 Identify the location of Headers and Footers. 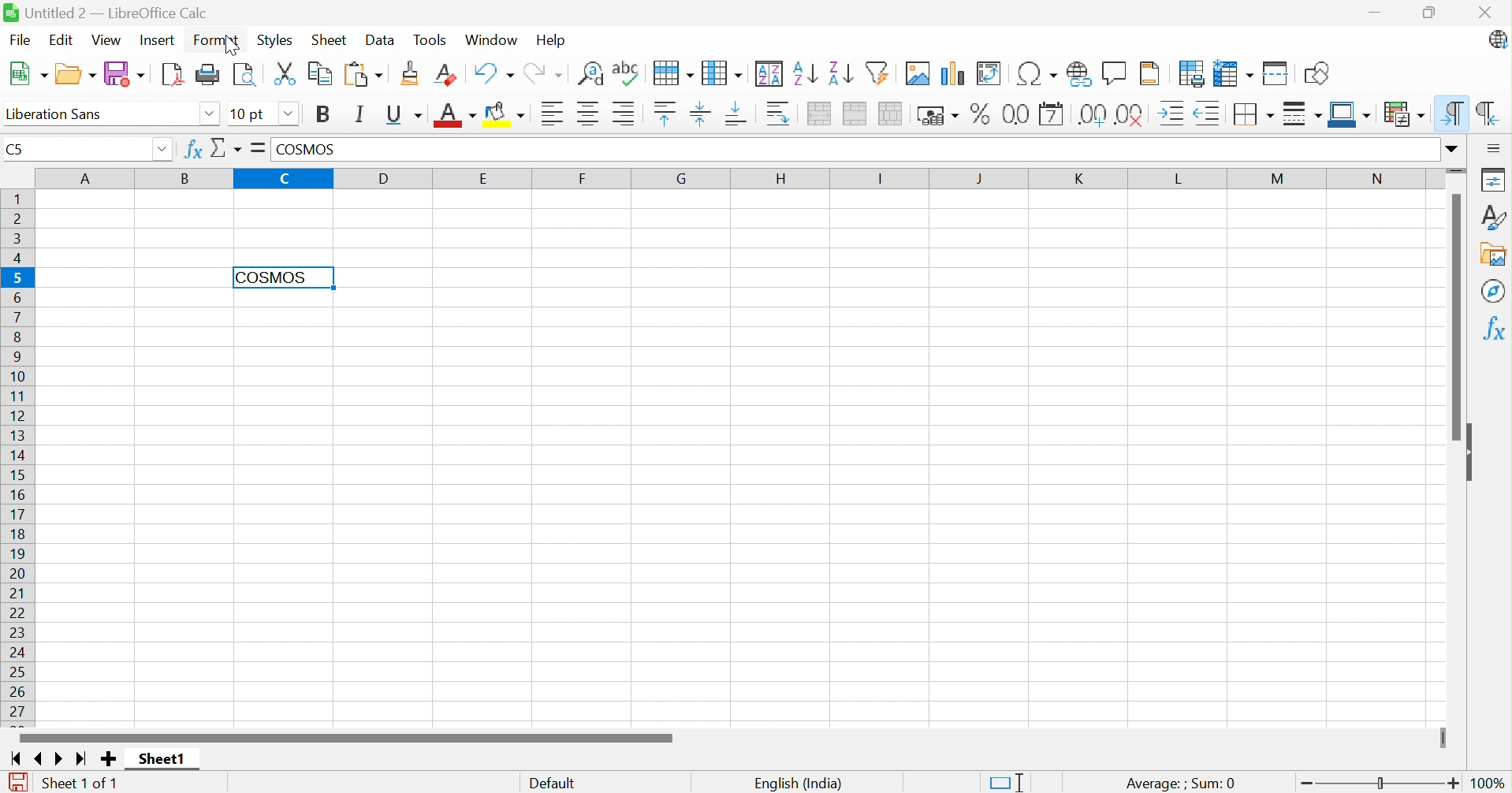
(1152, 73).